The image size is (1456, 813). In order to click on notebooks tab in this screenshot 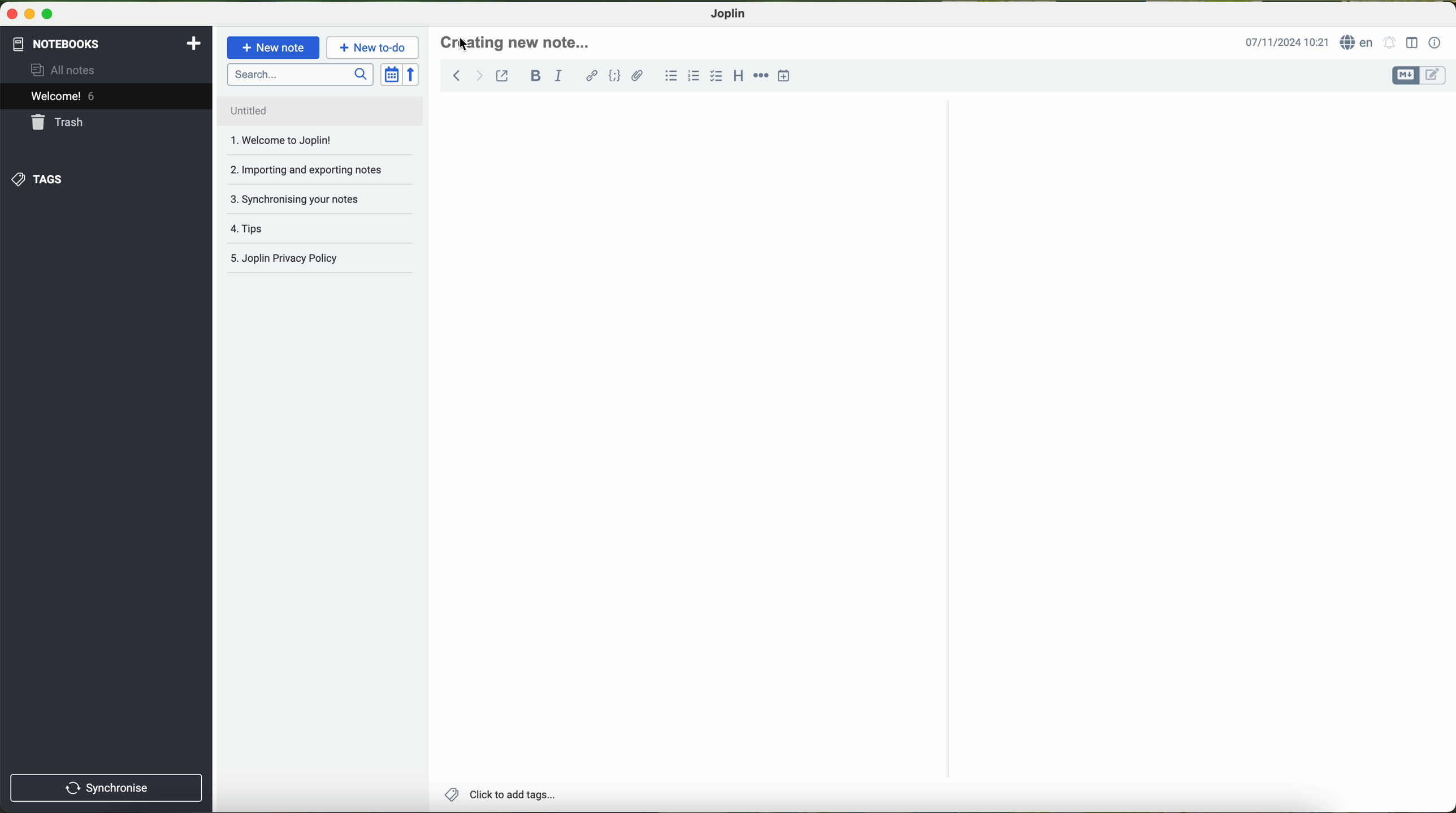, I will do `click(108, 44)`.